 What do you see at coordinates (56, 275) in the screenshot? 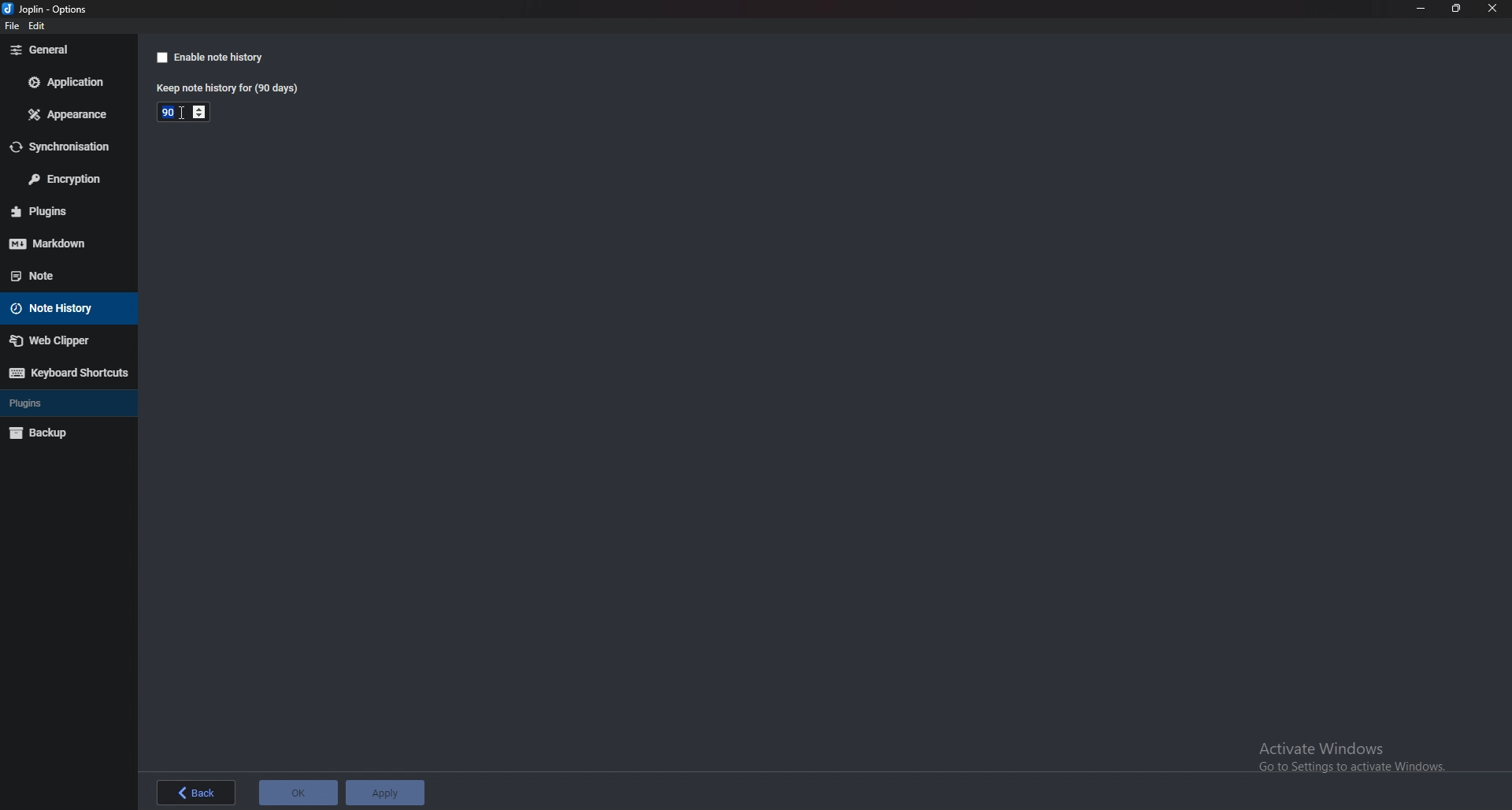
I see `note` at bounding box center [56, 275].